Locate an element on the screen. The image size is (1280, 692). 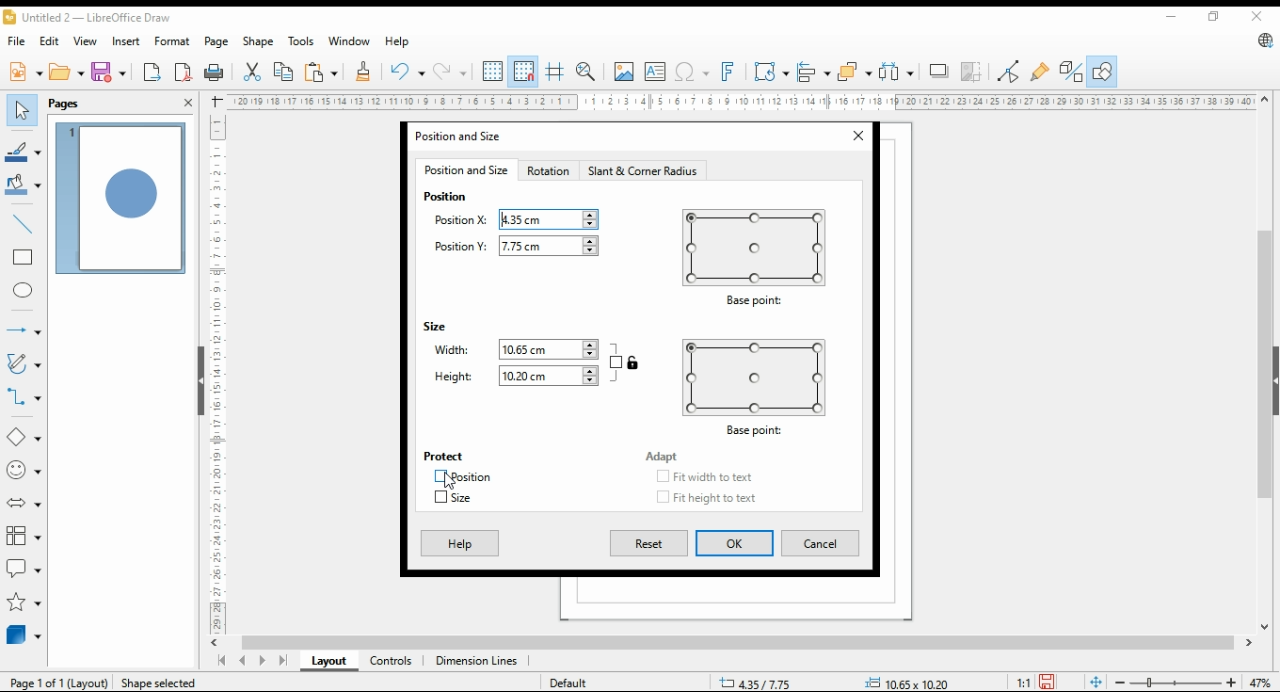
lines and arrows is located at coordinates (23, 329).